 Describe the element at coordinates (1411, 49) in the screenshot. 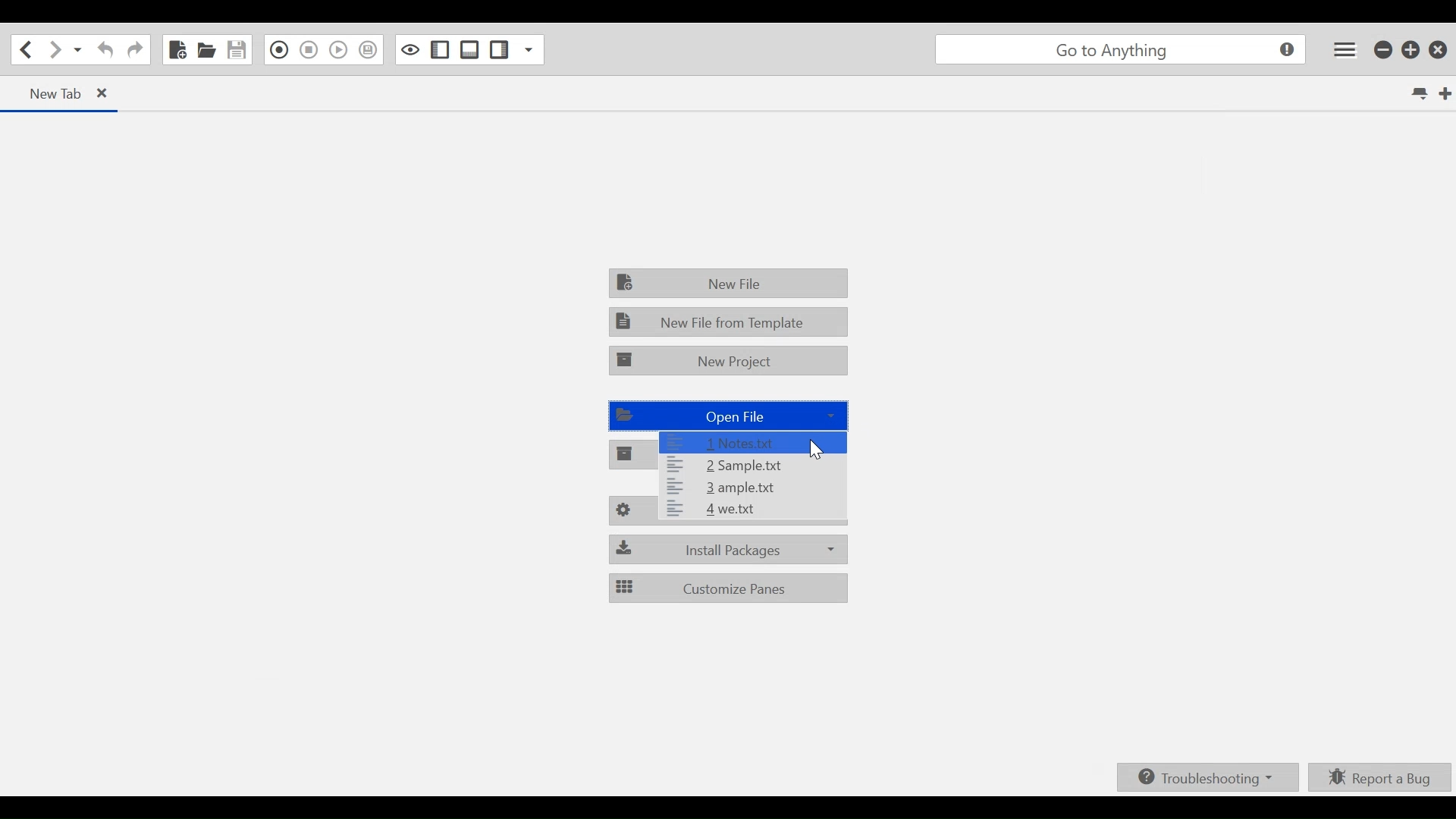

I see `Restore` at that location.